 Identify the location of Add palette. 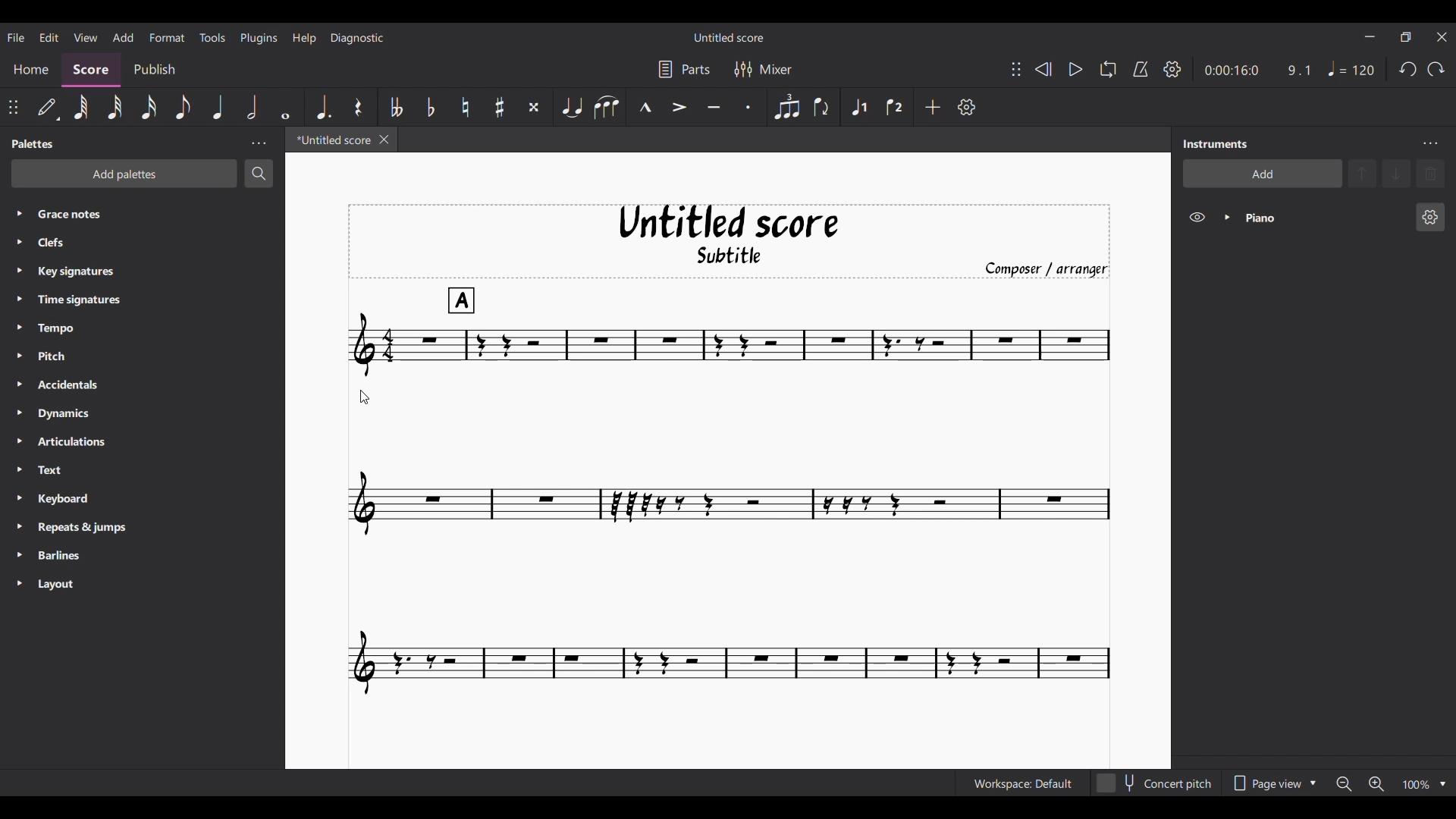
(124, 174).